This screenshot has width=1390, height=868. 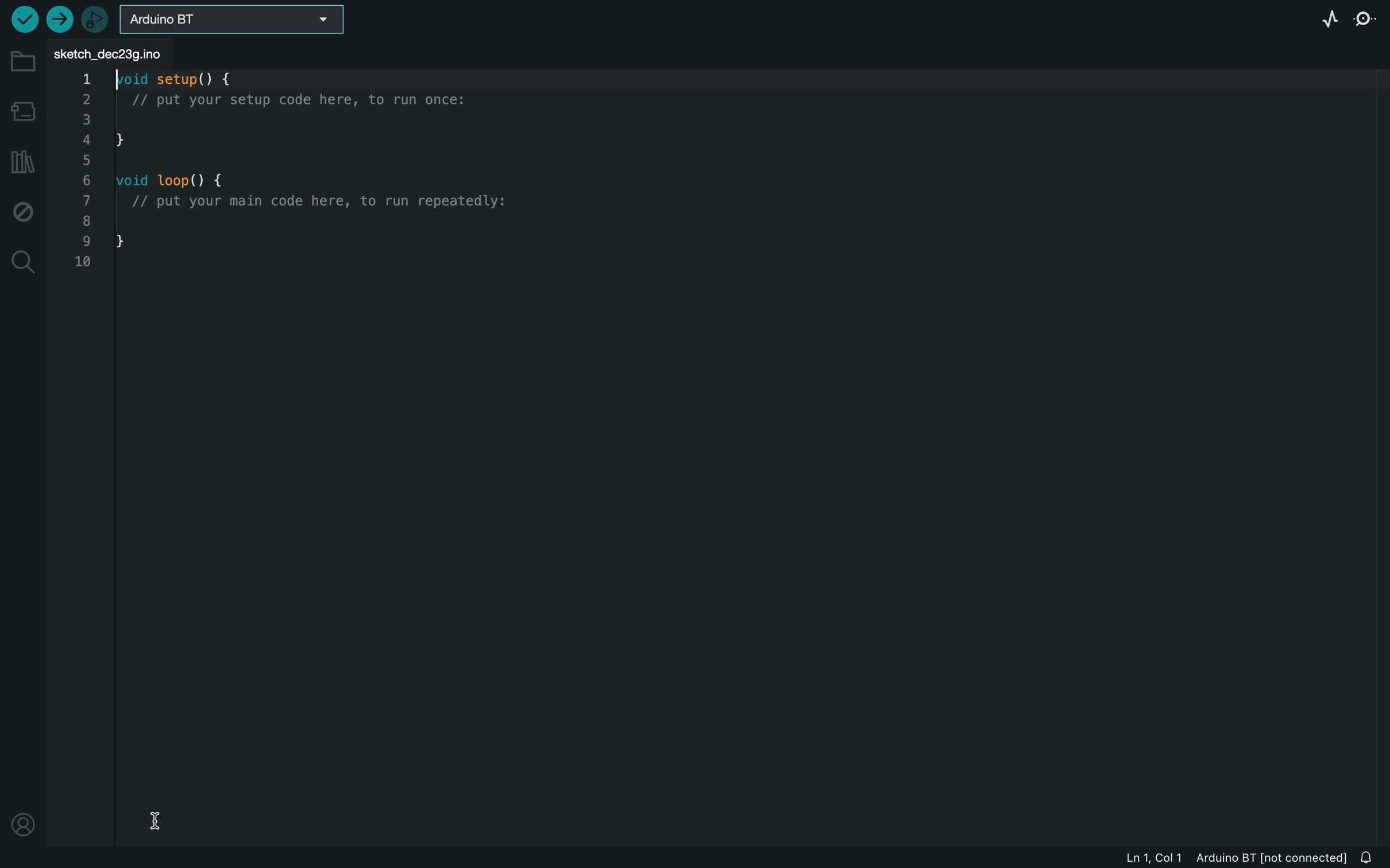 What do you see at coordinates (22, 823) in the screenshot?
I see `profile` at bounding box center [22, 823].